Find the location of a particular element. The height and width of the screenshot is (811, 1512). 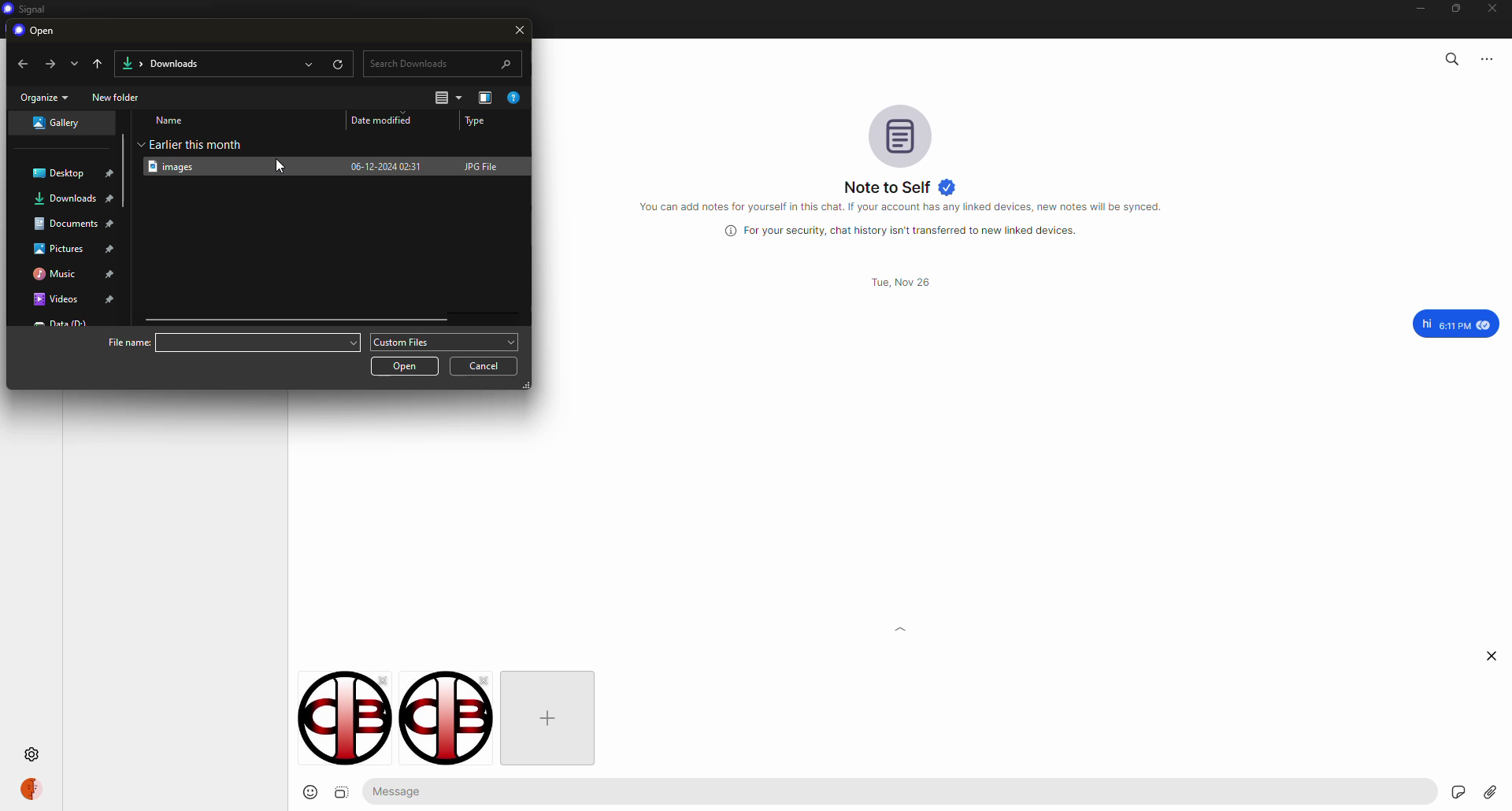

minimize is located at coordinates (1414, 9).